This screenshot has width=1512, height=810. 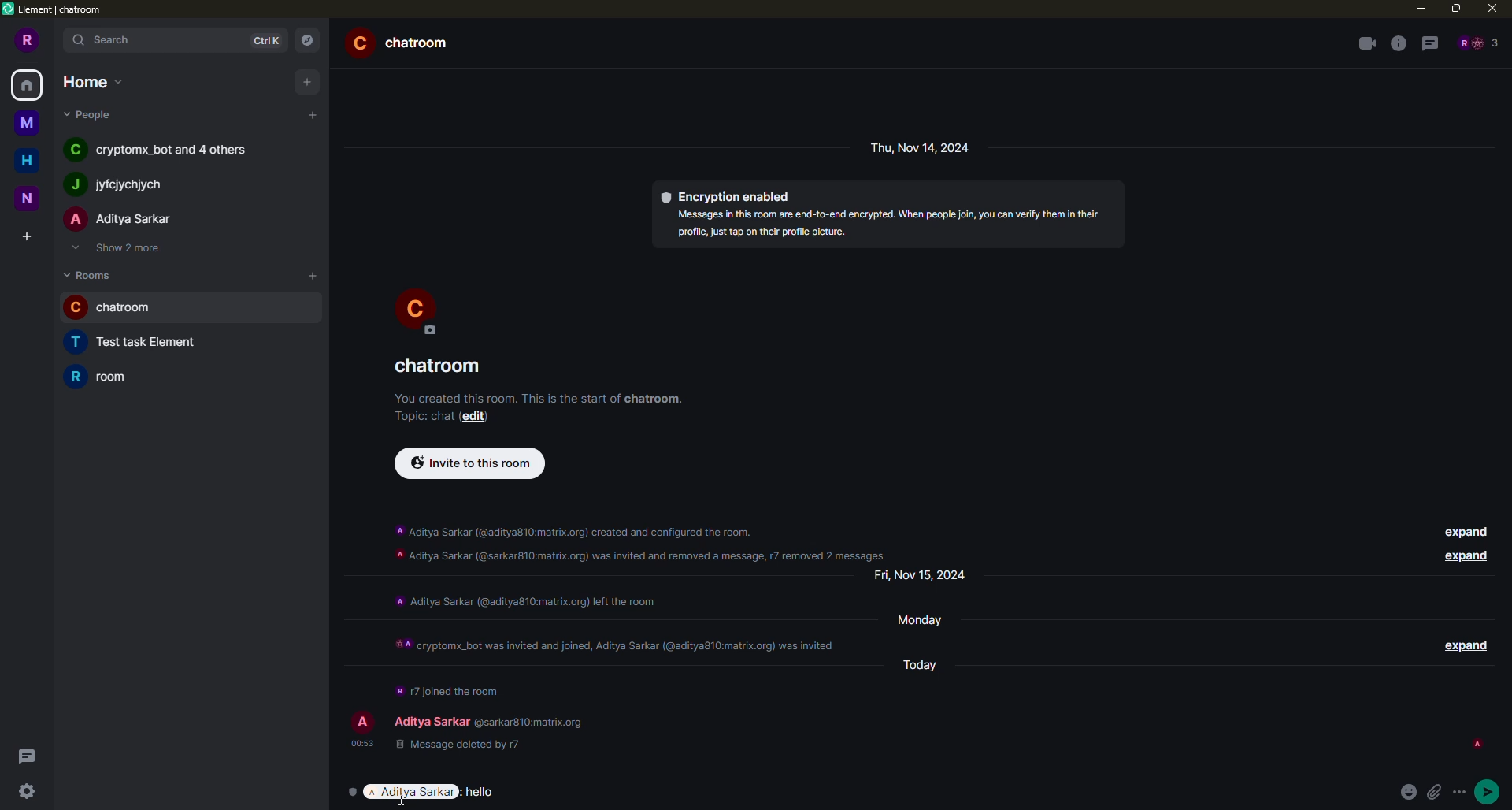 I want to click on space, so click(x=25, y=120).